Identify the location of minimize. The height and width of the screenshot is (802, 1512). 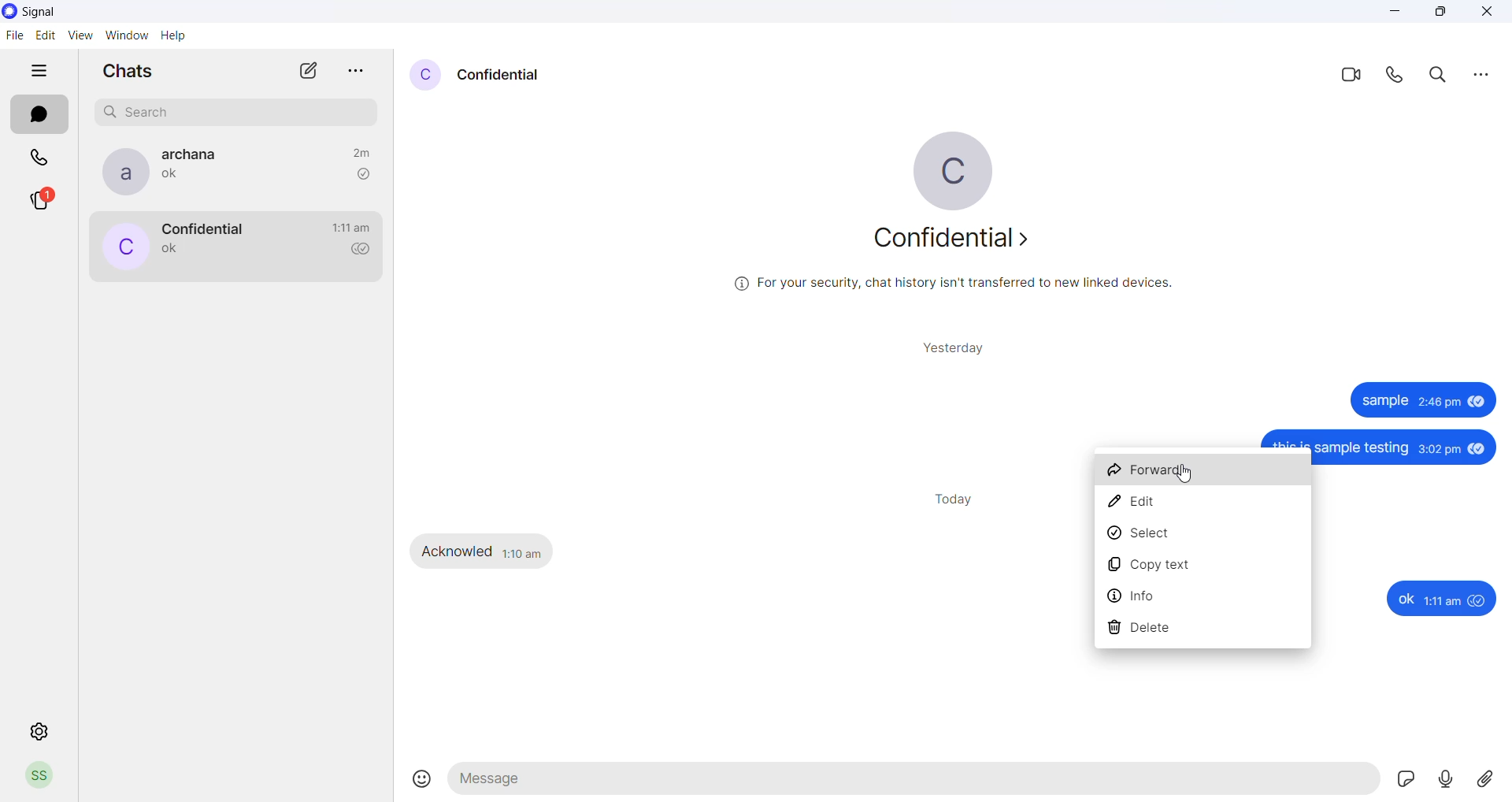
(1397, 16).